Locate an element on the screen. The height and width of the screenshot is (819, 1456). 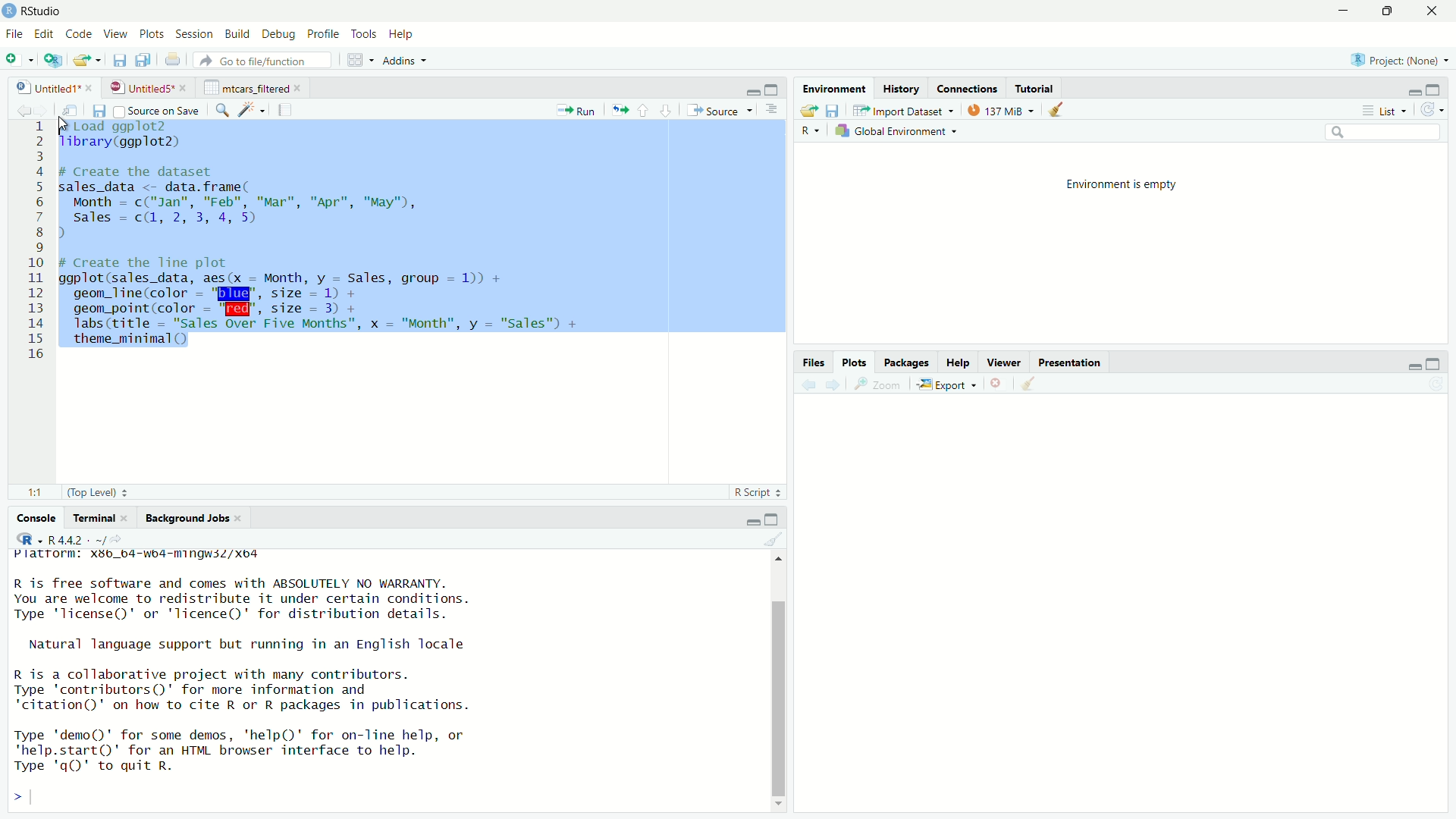
session is located at coordinates (195, 35).